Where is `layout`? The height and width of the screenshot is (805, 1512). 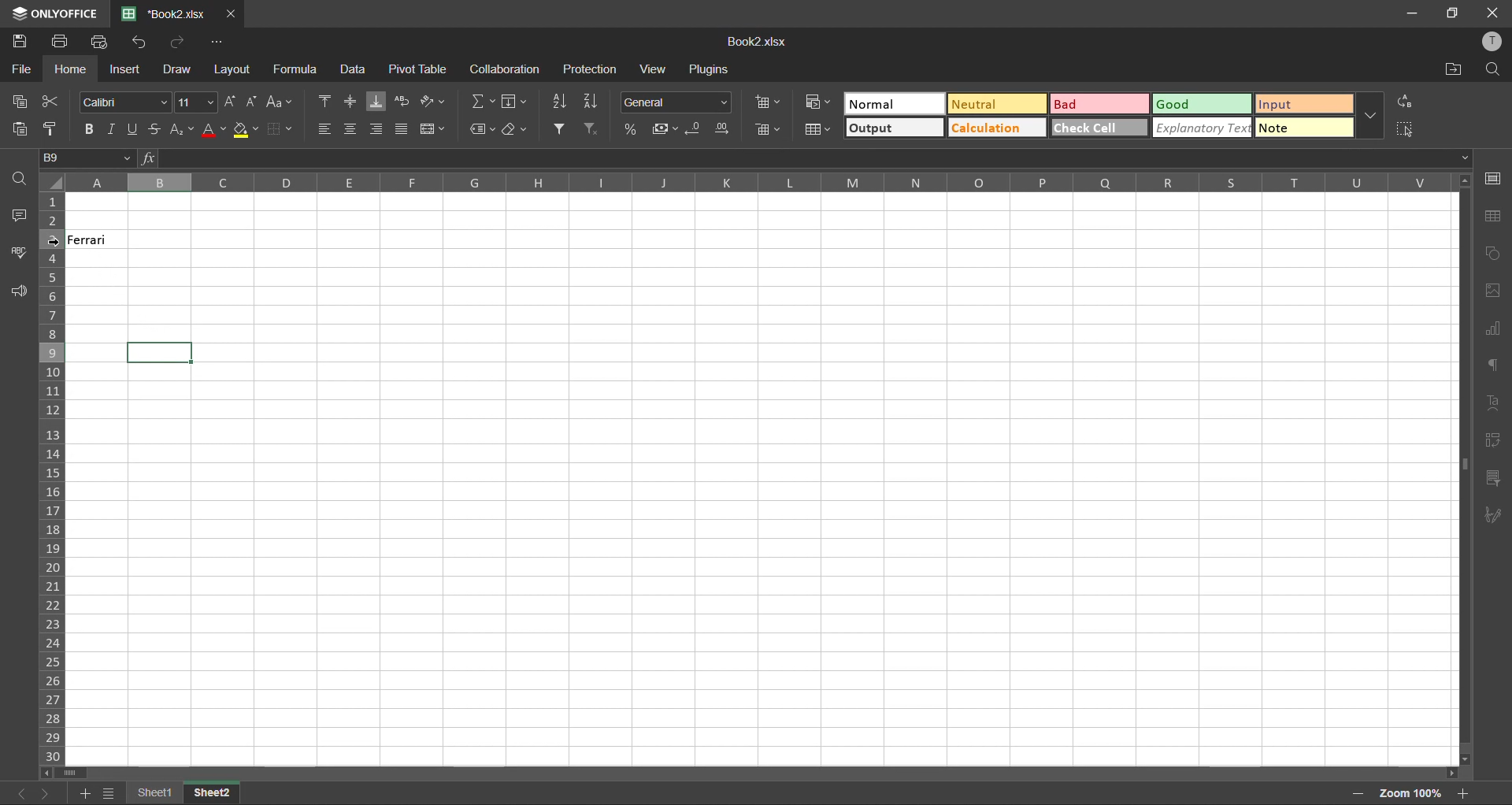 layout is located at coordinates (235, 69).